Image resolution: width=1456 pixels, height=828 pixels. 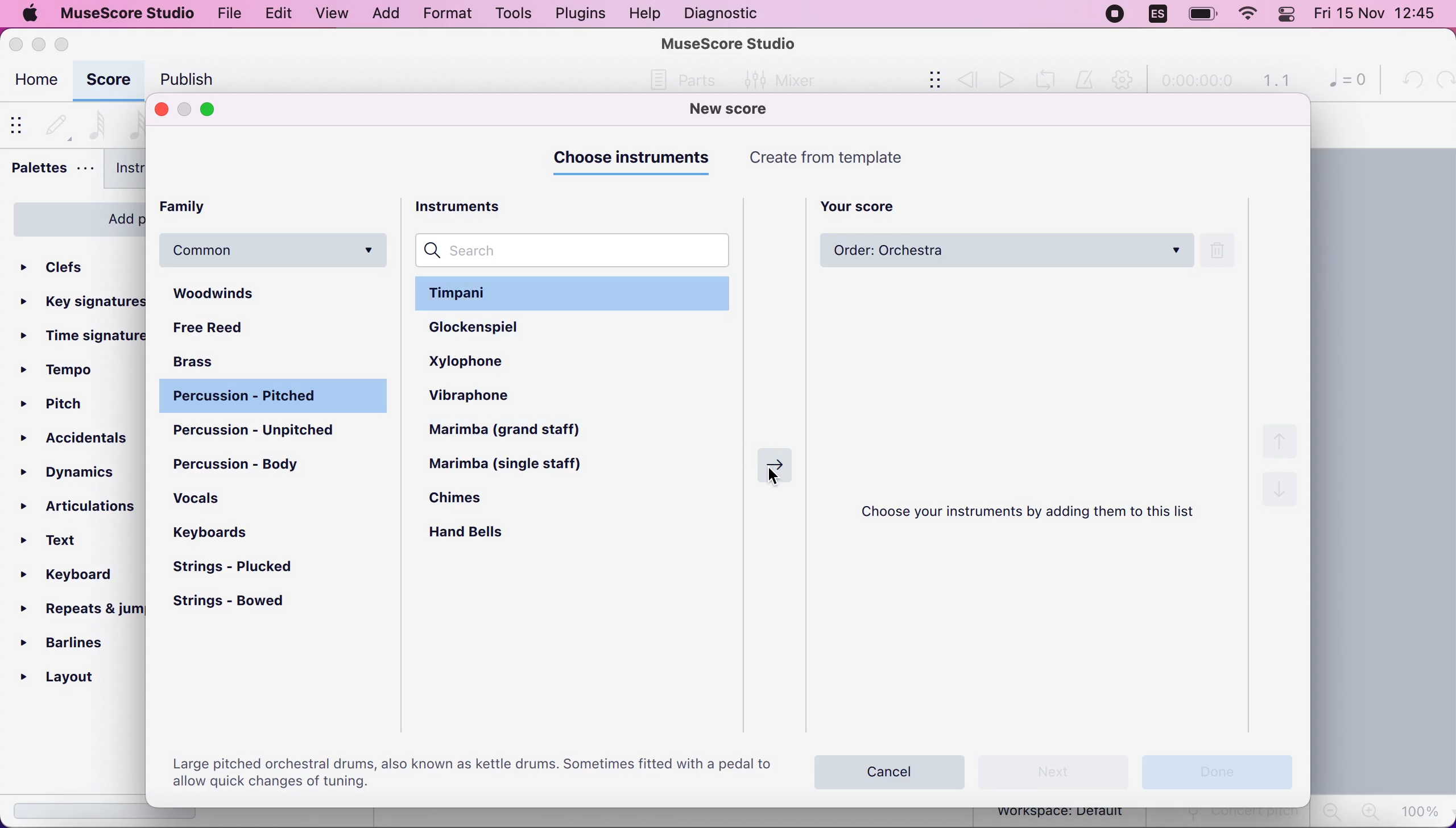 What do you see at coordinates (508, 14) in the screenshot?
I see `tools` at bounding box center [508, 14].